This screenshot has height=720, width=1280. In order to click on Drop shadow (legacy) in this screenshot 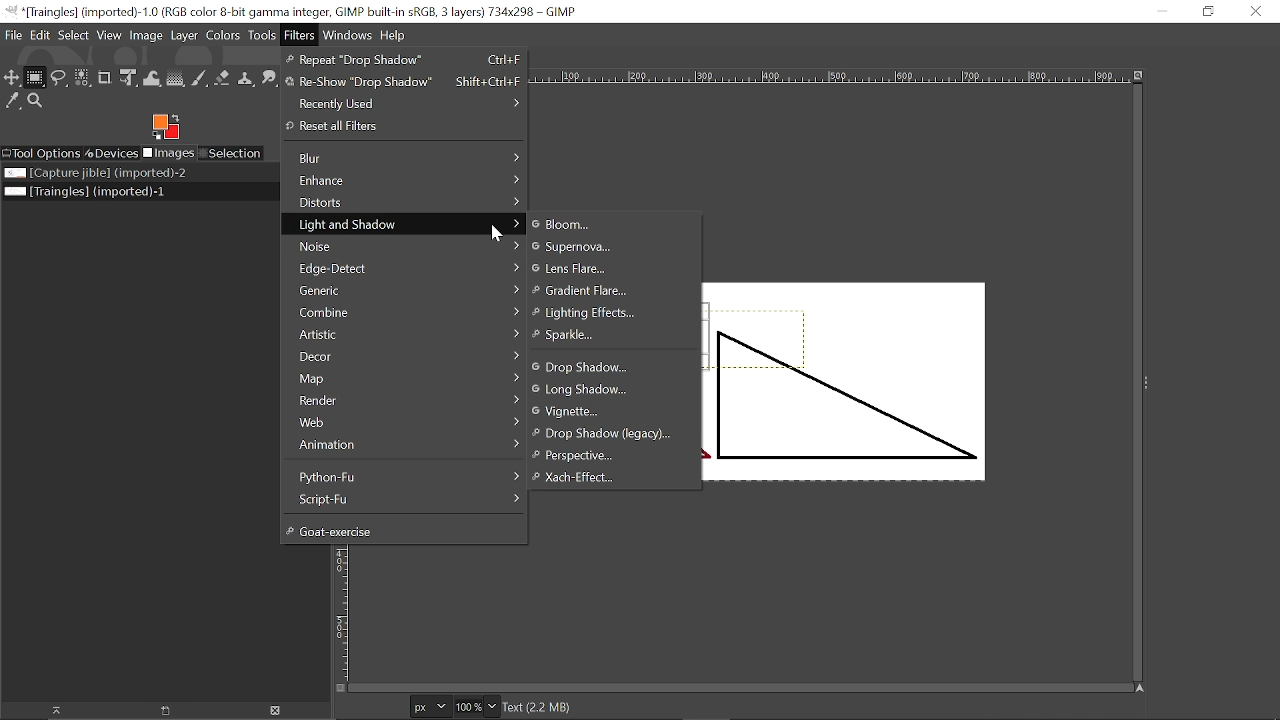, I will do `click(614, 435)`.